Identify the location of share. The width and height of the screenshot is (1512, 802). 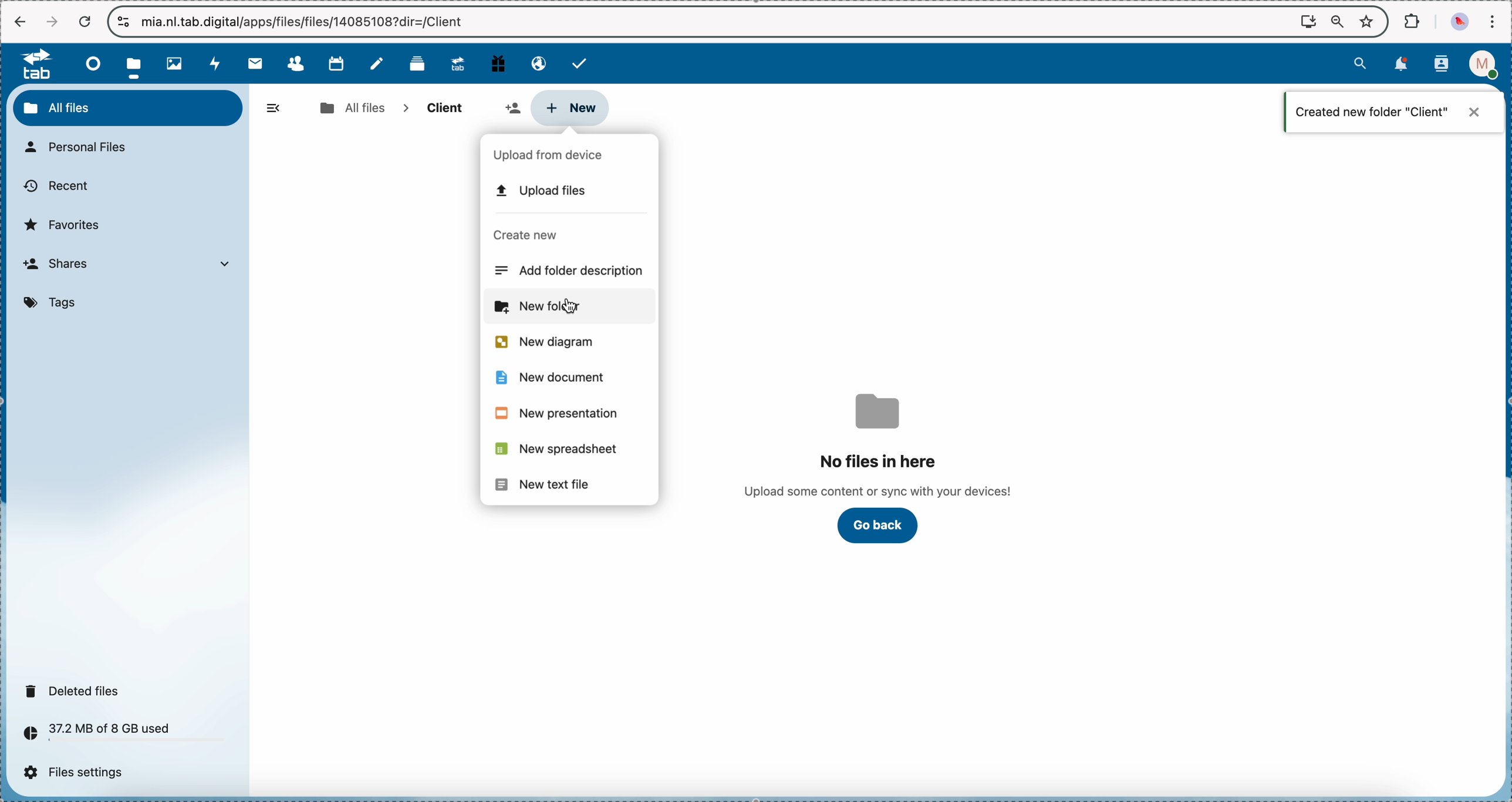
(512, 107).